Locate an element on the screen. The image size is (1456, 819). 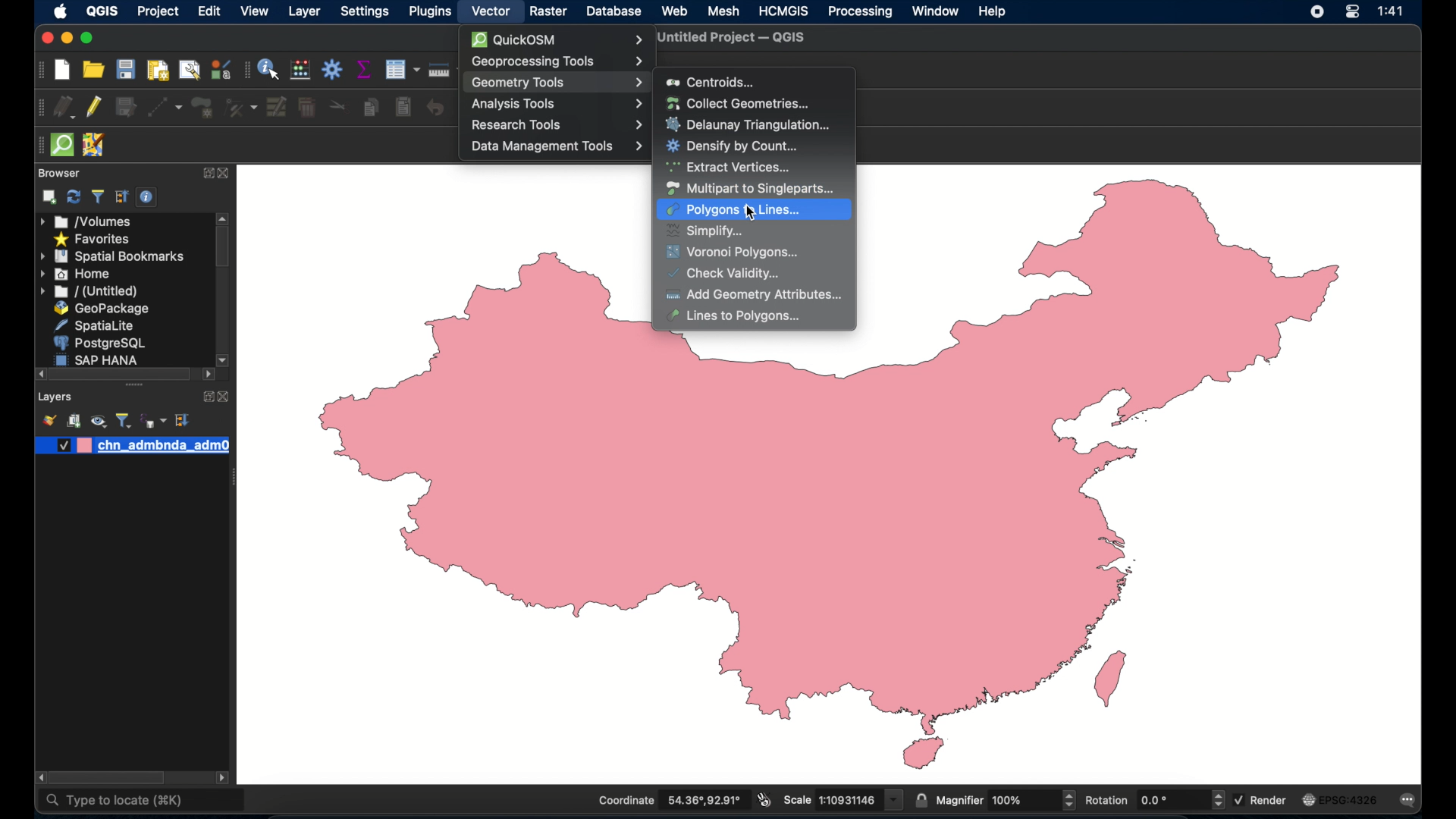
sap hana is located at coordinates (98, 359).